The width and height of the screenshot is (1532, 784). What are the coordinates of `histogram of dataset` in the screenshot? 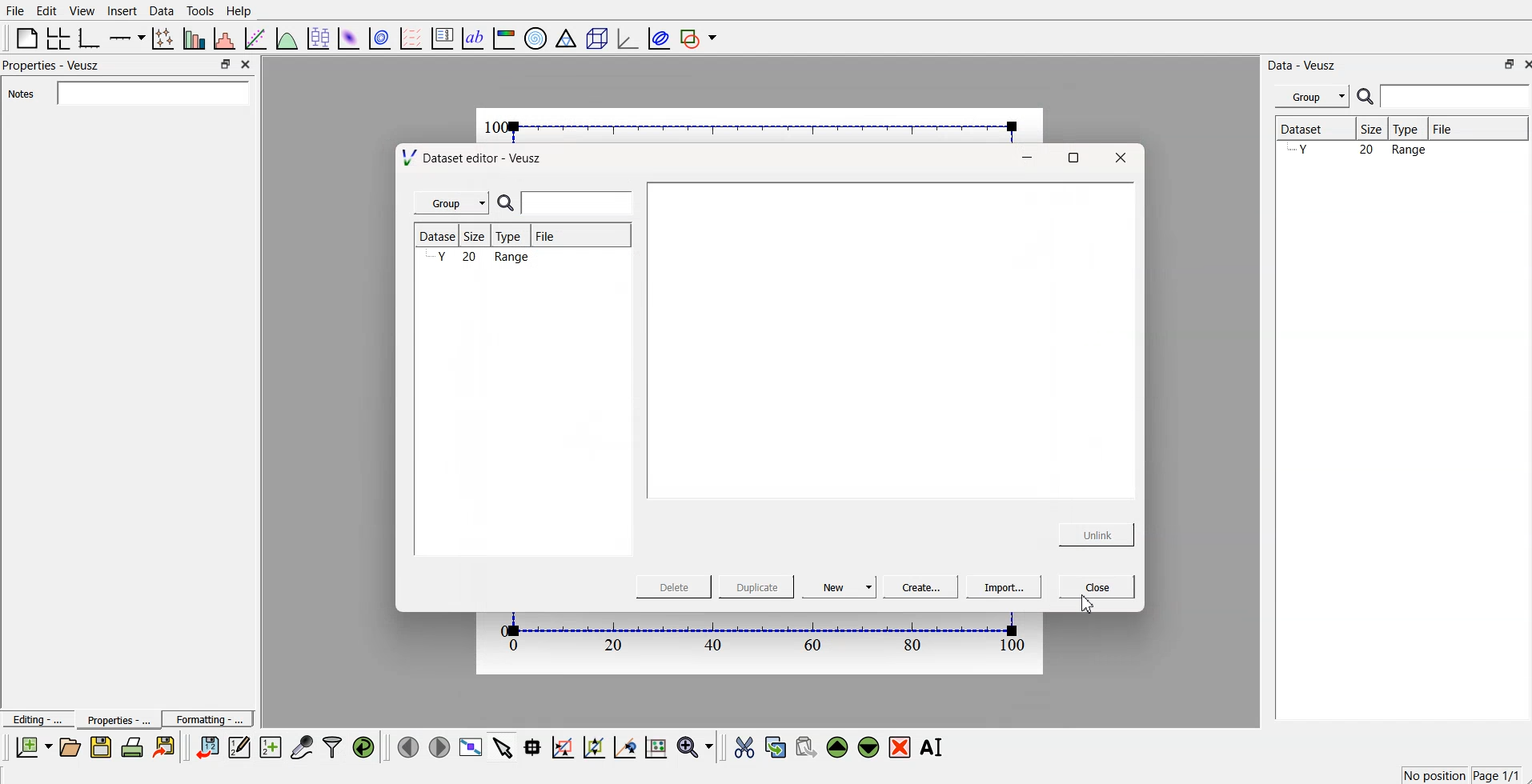 It's located at (226, 38).